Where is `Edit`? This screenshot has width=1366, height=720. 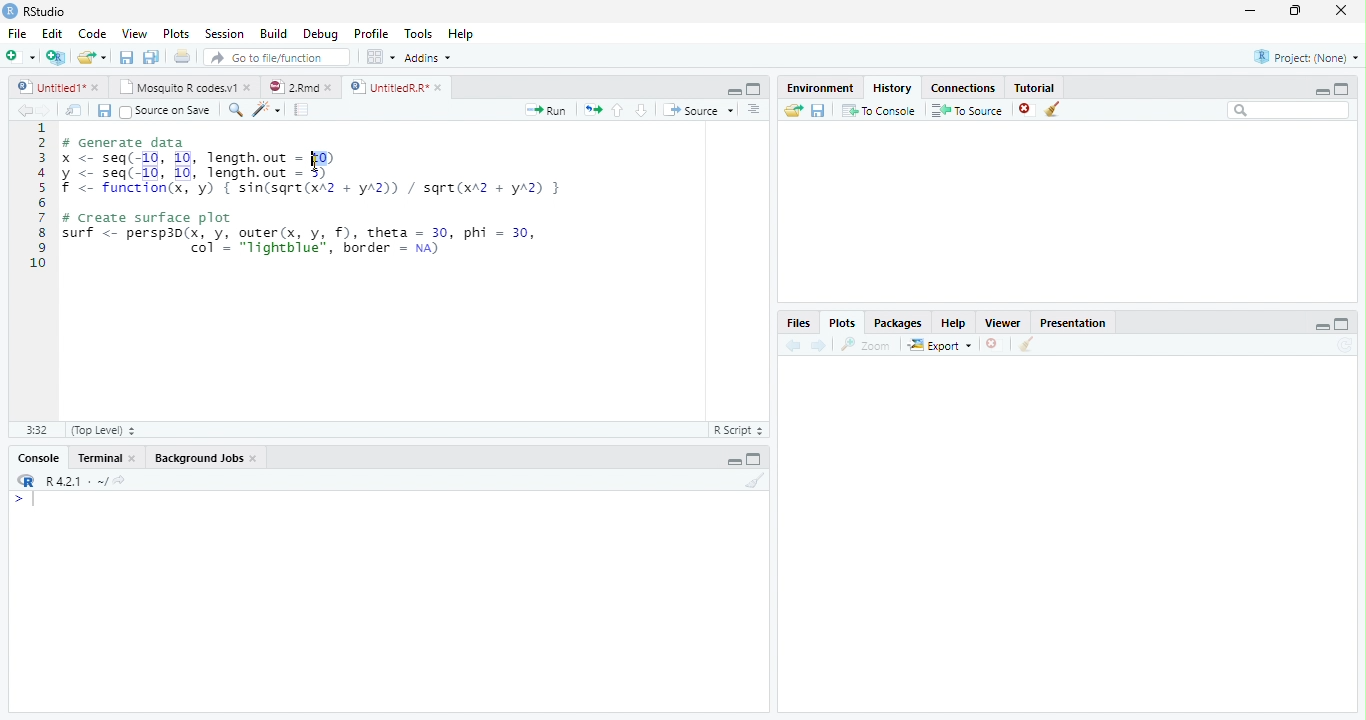 Edit is located at coordinates (51, 33).